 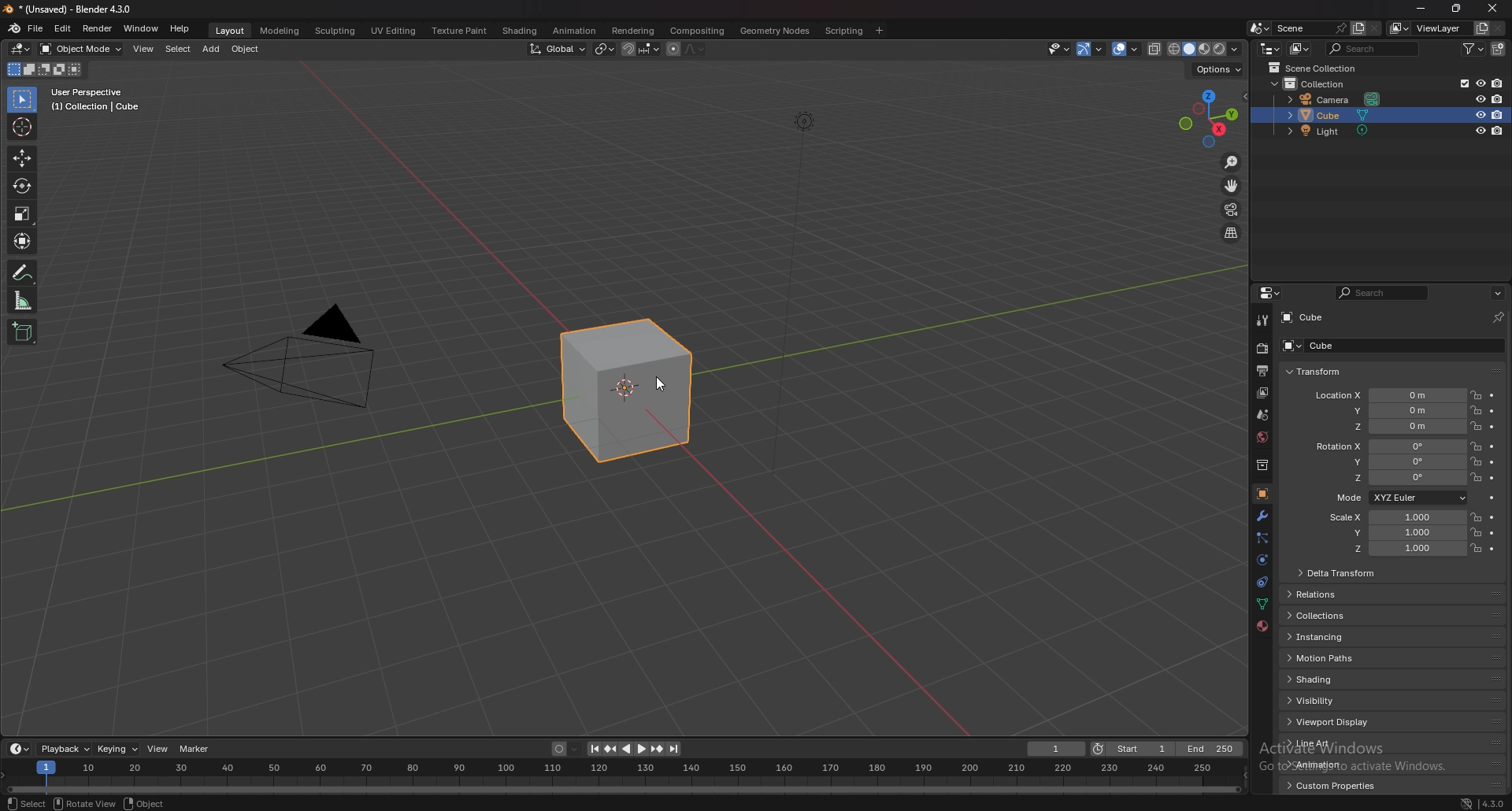 What do you see at coordinates (1232, 209) in the screenshot?
I see `camera view` at bounding box center [1232, 209].